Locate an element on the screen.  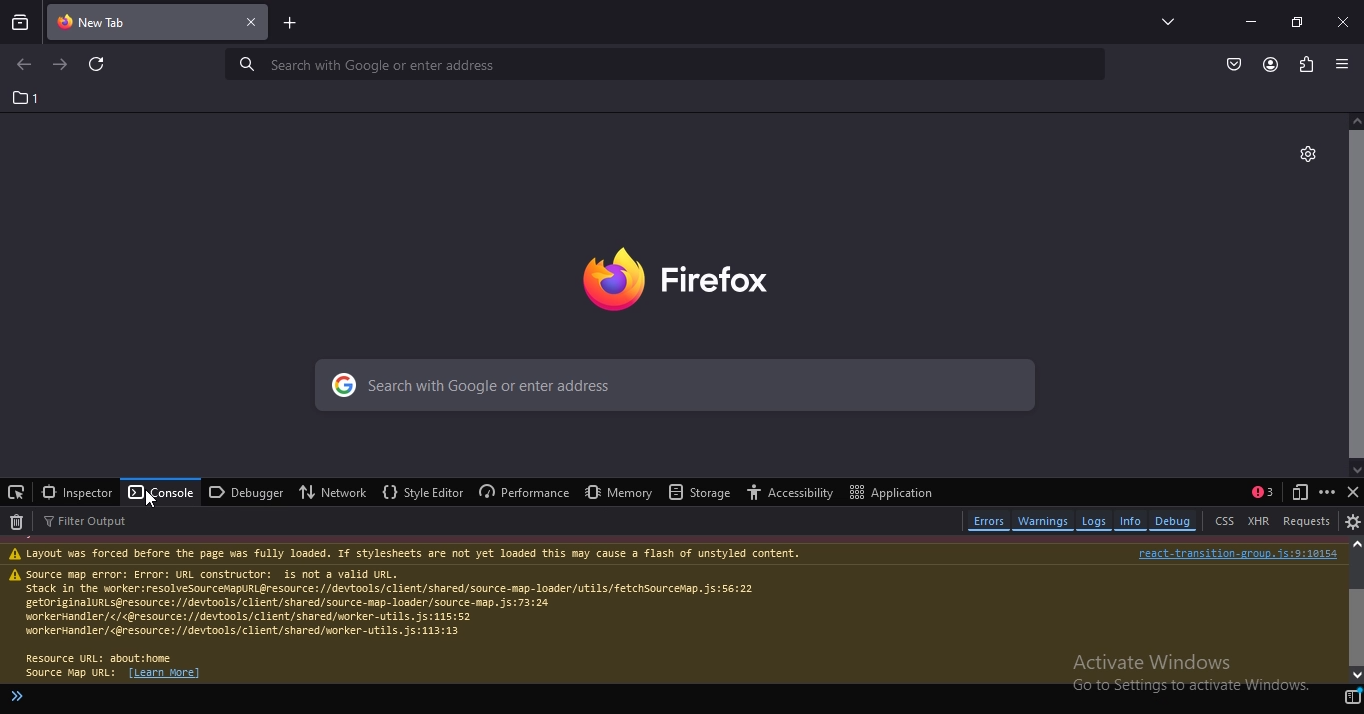
inspector is located at coordinates (76, 493).